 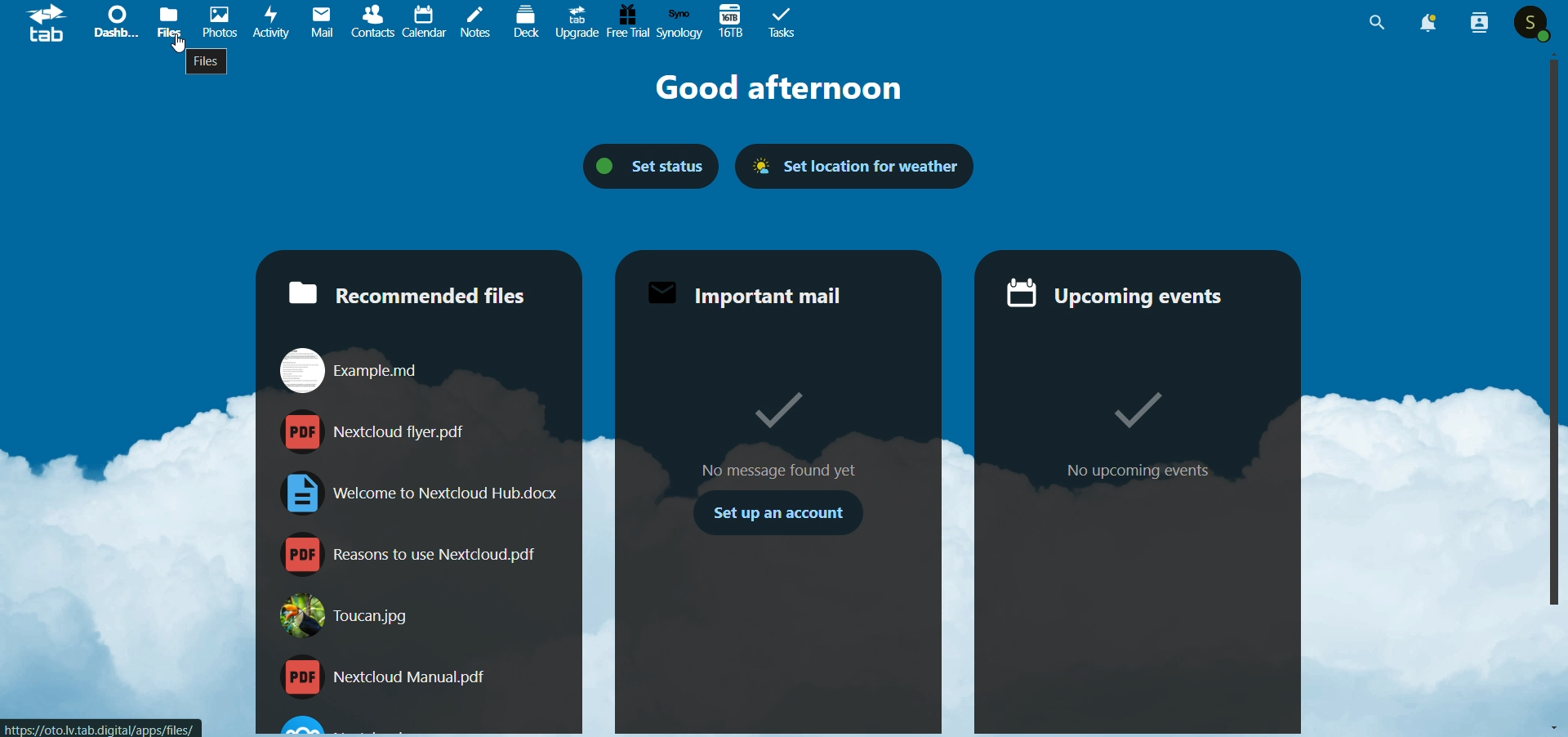 What do you see at coordinates (273, 25) in the screenshot?
I see `activity` at bounding box center [273, 25].